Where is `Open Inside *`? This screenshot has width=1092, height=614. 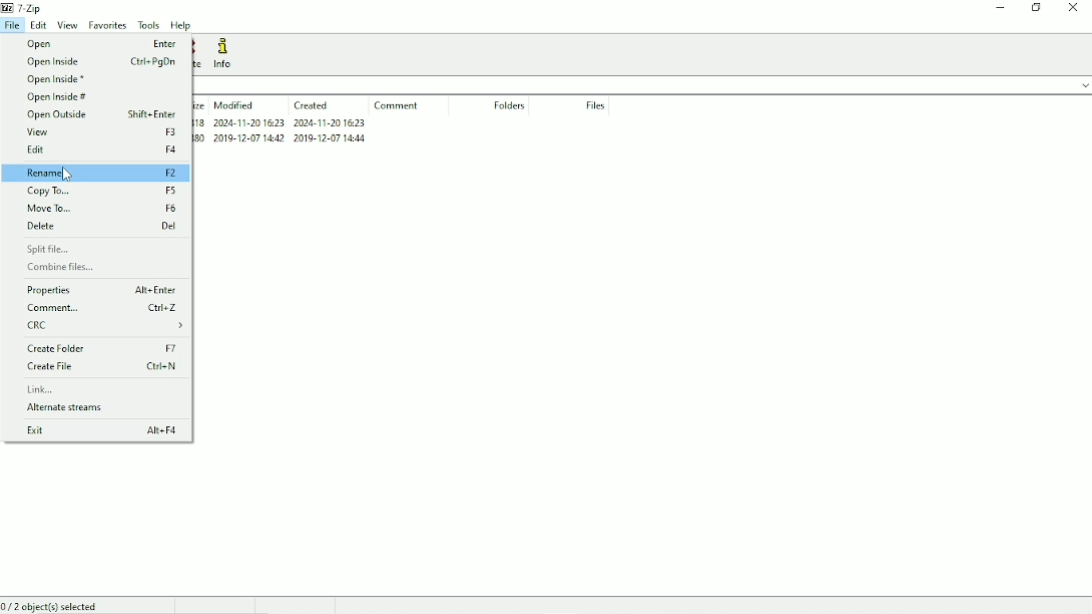 Open Inside * is located at coordinates (58, 80).